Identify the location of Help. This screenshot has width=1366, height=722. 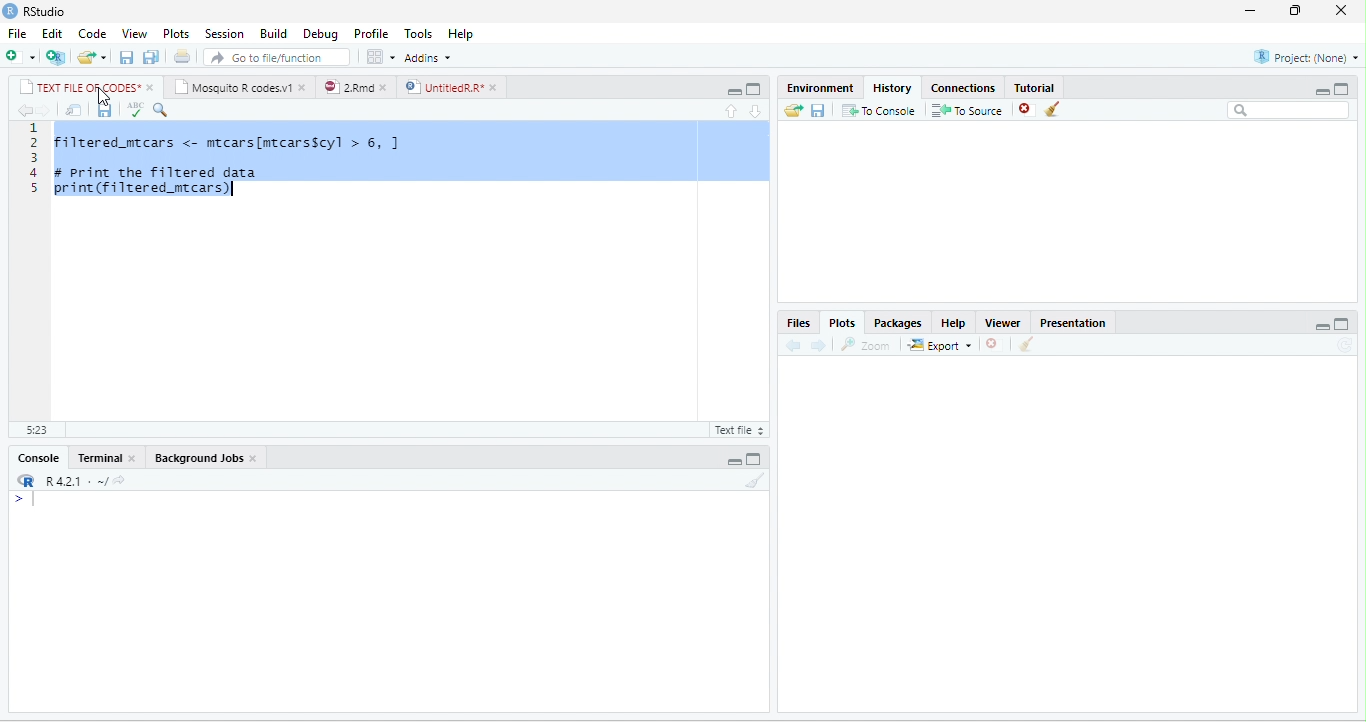
(460, 34).